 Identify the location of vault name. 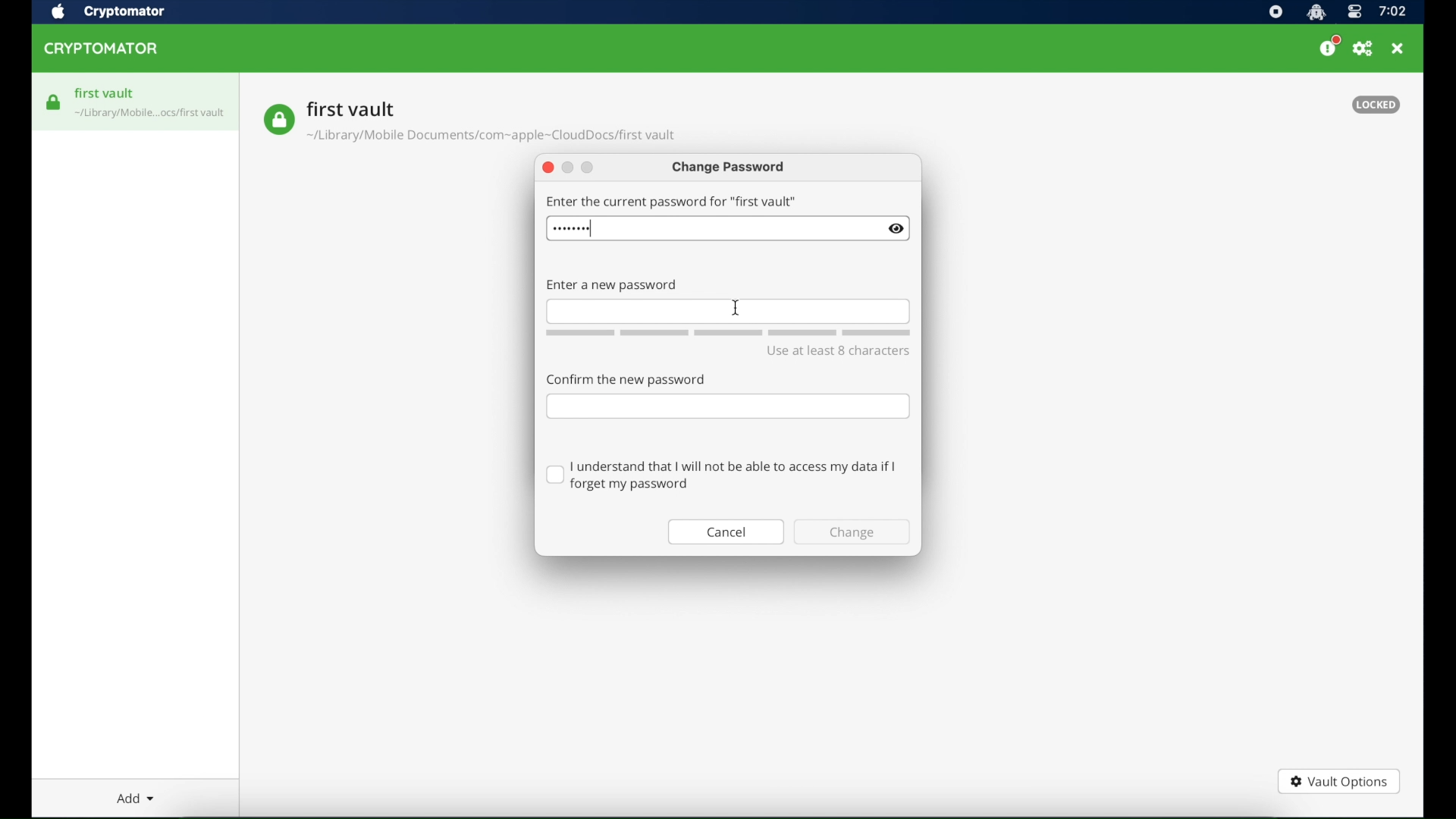
(351, 108).